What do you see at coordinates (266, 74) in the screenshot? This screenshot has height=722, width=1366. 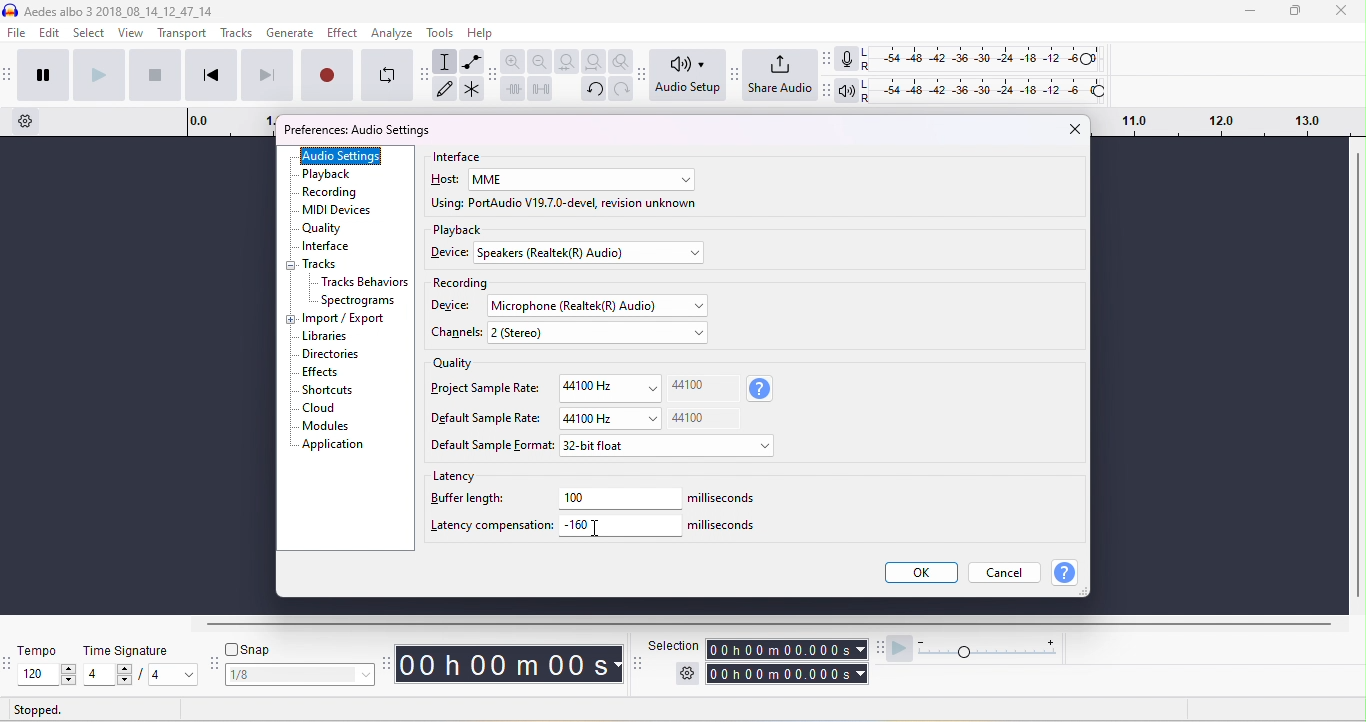 I see `skip to end` at bounding box center [266, 74].